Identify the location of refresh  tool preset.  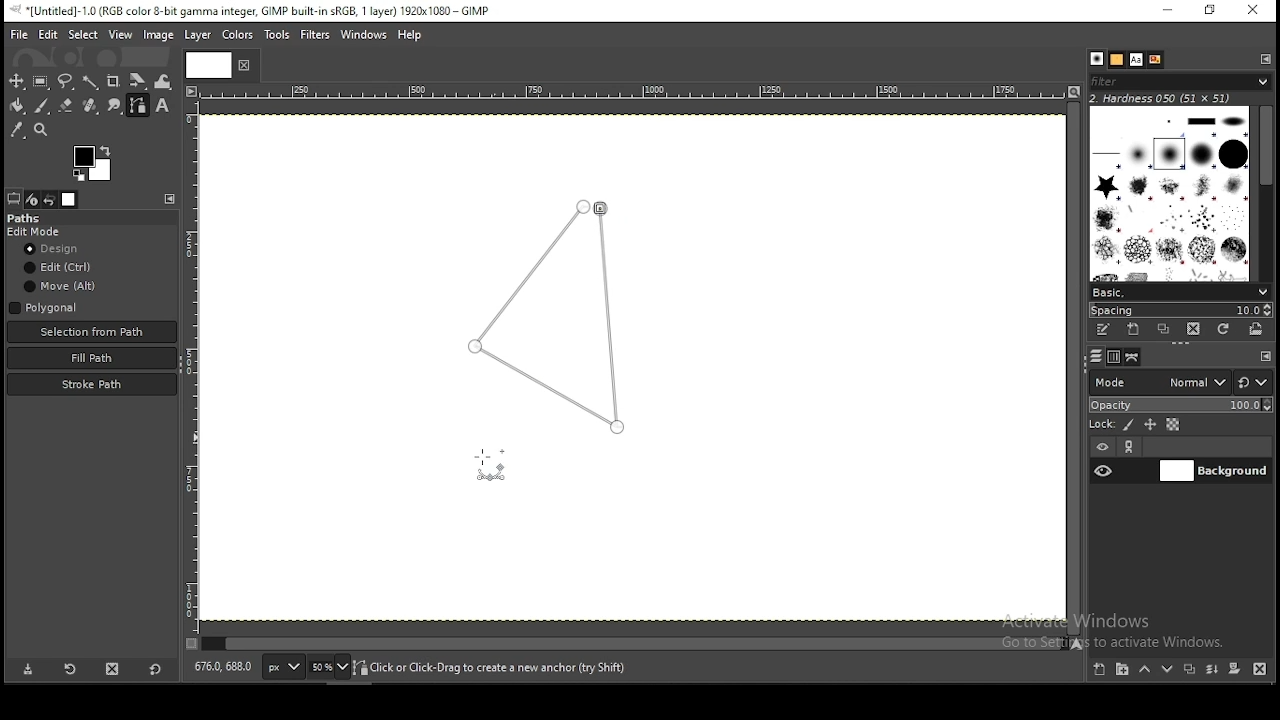
(69, 671).